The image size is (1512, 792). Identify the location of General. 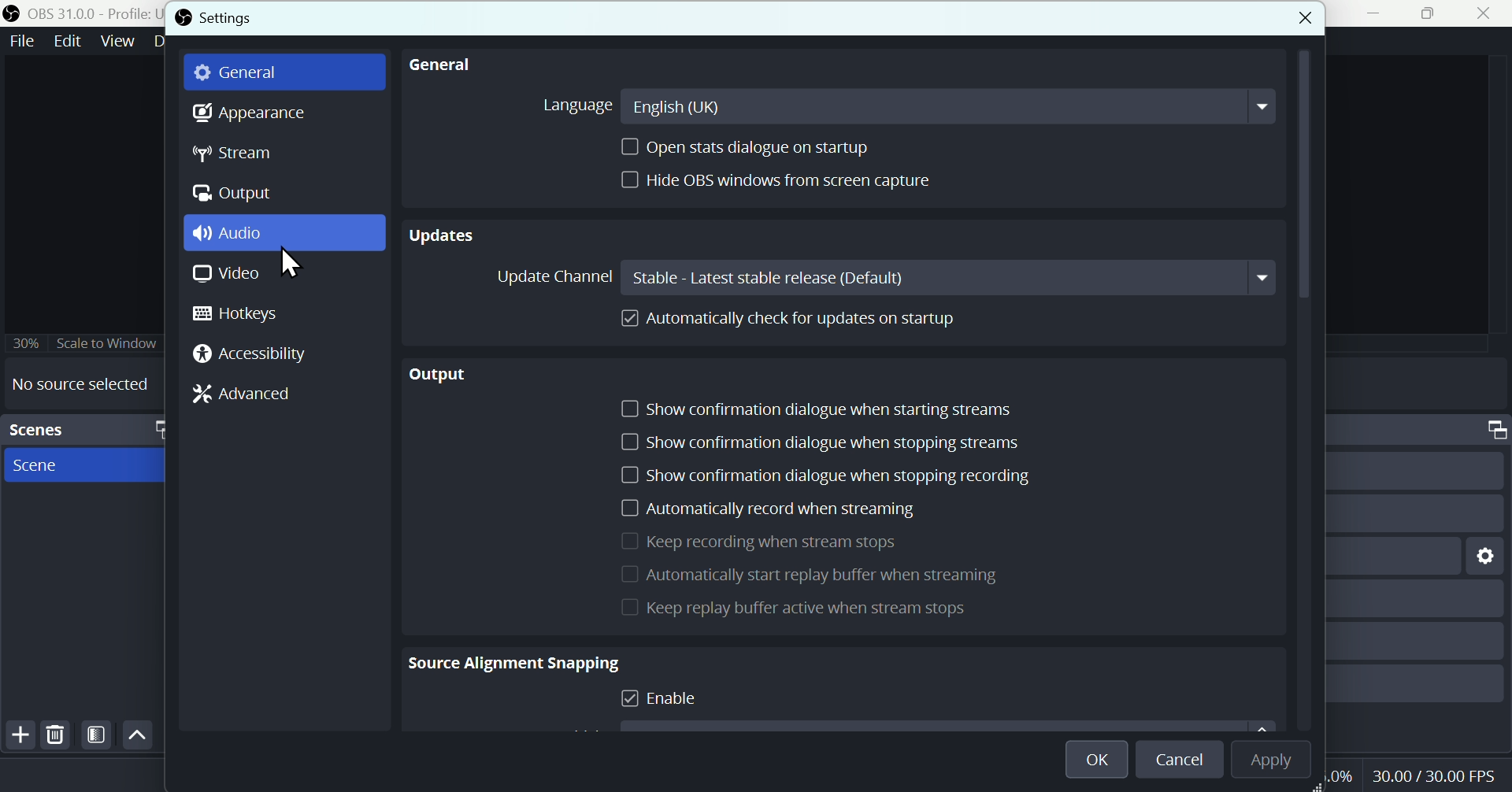
(439, 63).